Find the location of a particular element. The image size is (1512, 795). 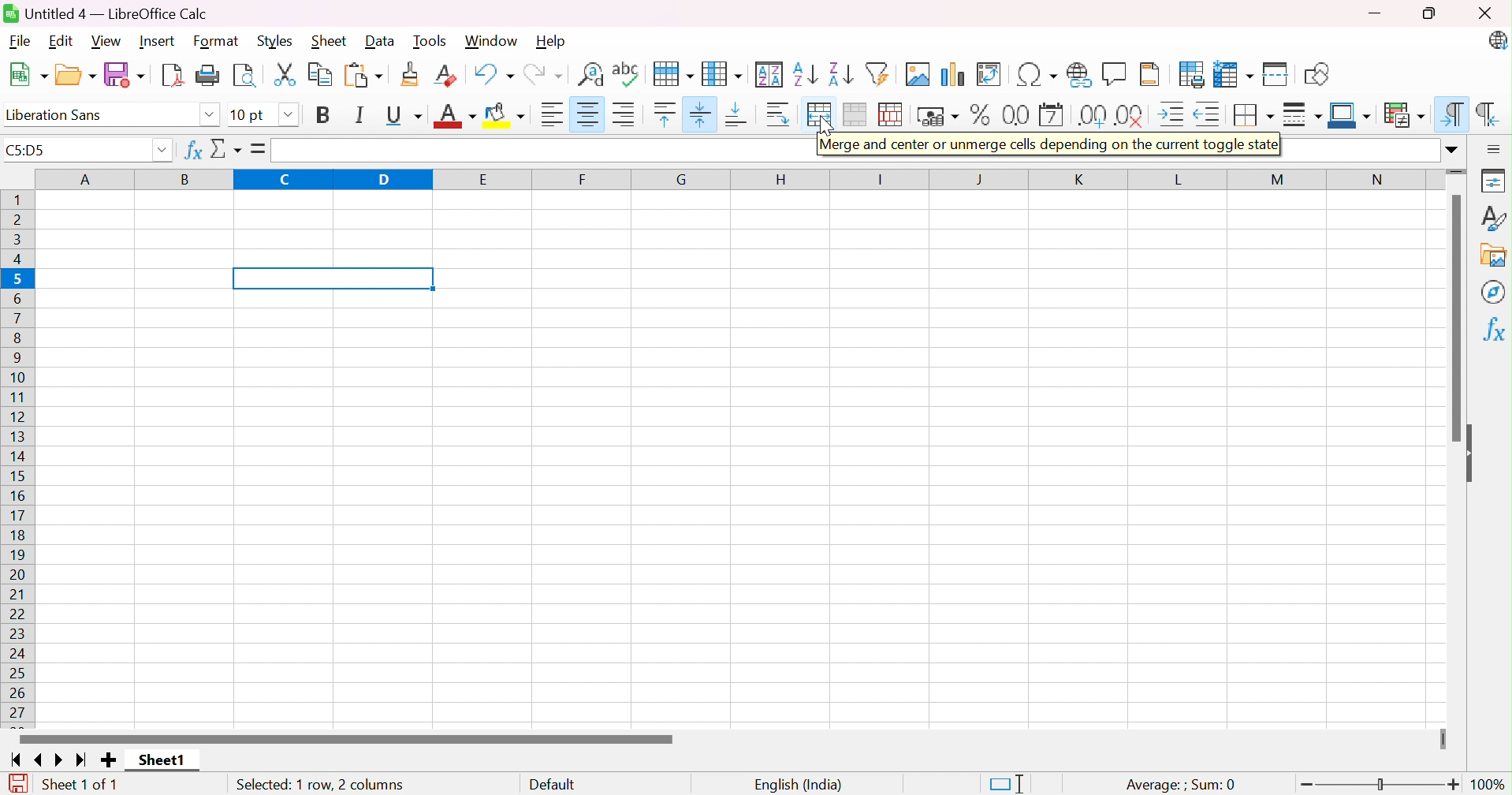

Wrap Text is located at coordinates (779, 114).